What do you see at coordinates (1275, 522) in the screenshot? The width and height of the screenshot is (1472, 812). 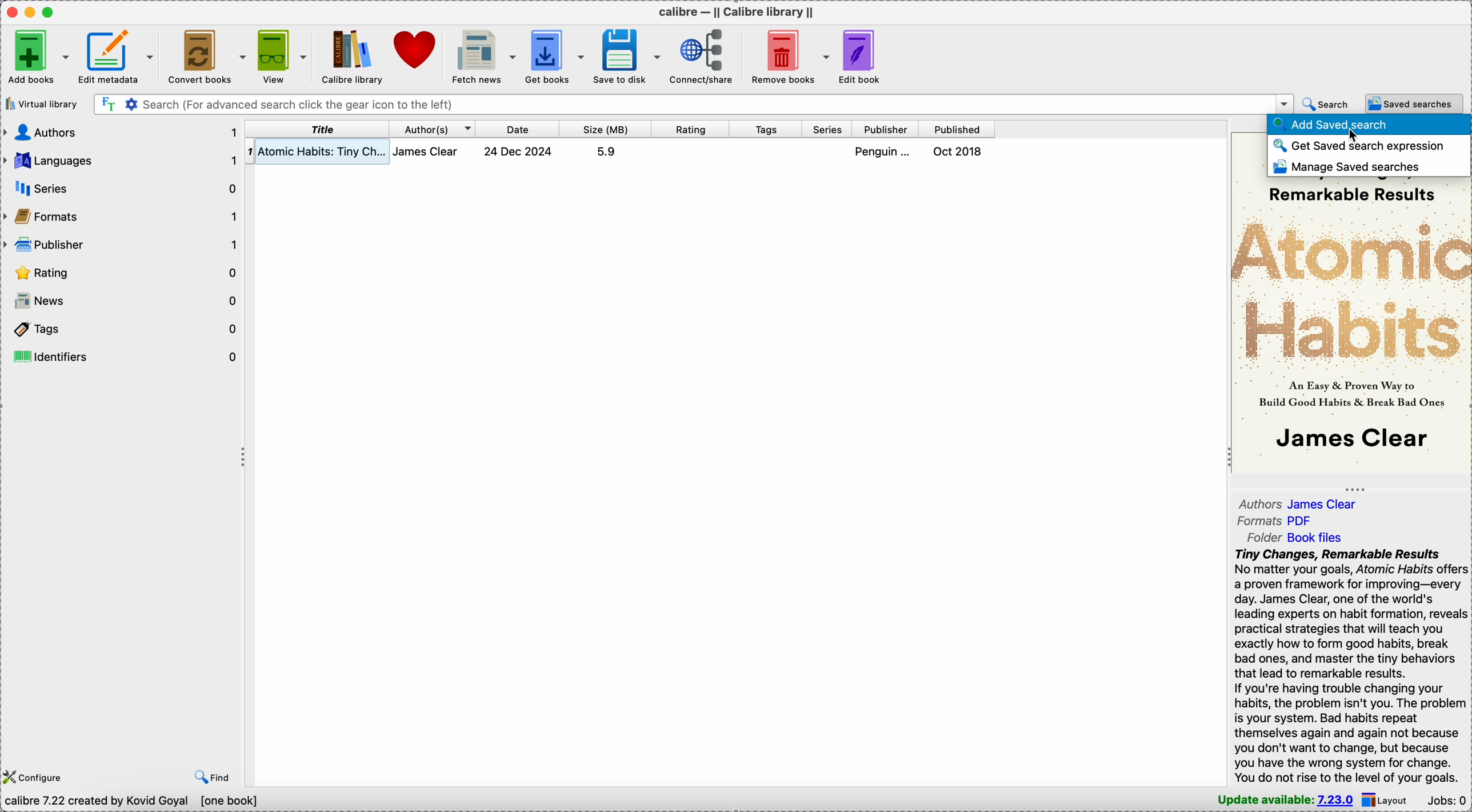 I see `formats PDF` at bounding box center [1275, 522].